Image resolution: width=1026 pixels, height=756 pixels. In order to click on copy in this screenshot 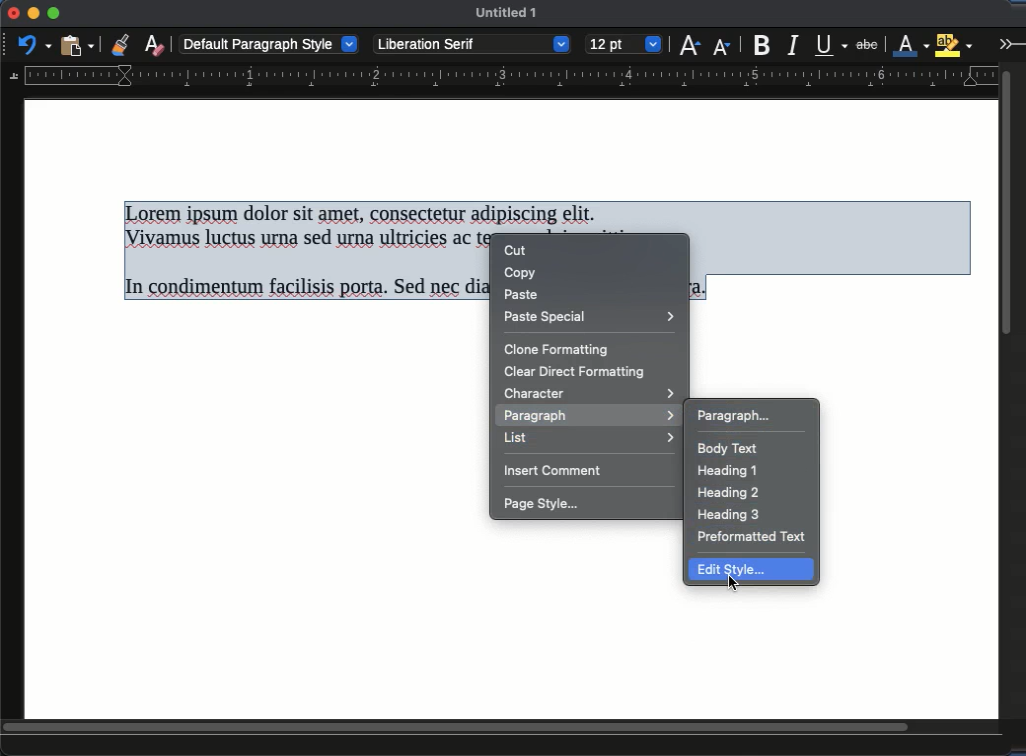, I will do `click(523, 273)`.